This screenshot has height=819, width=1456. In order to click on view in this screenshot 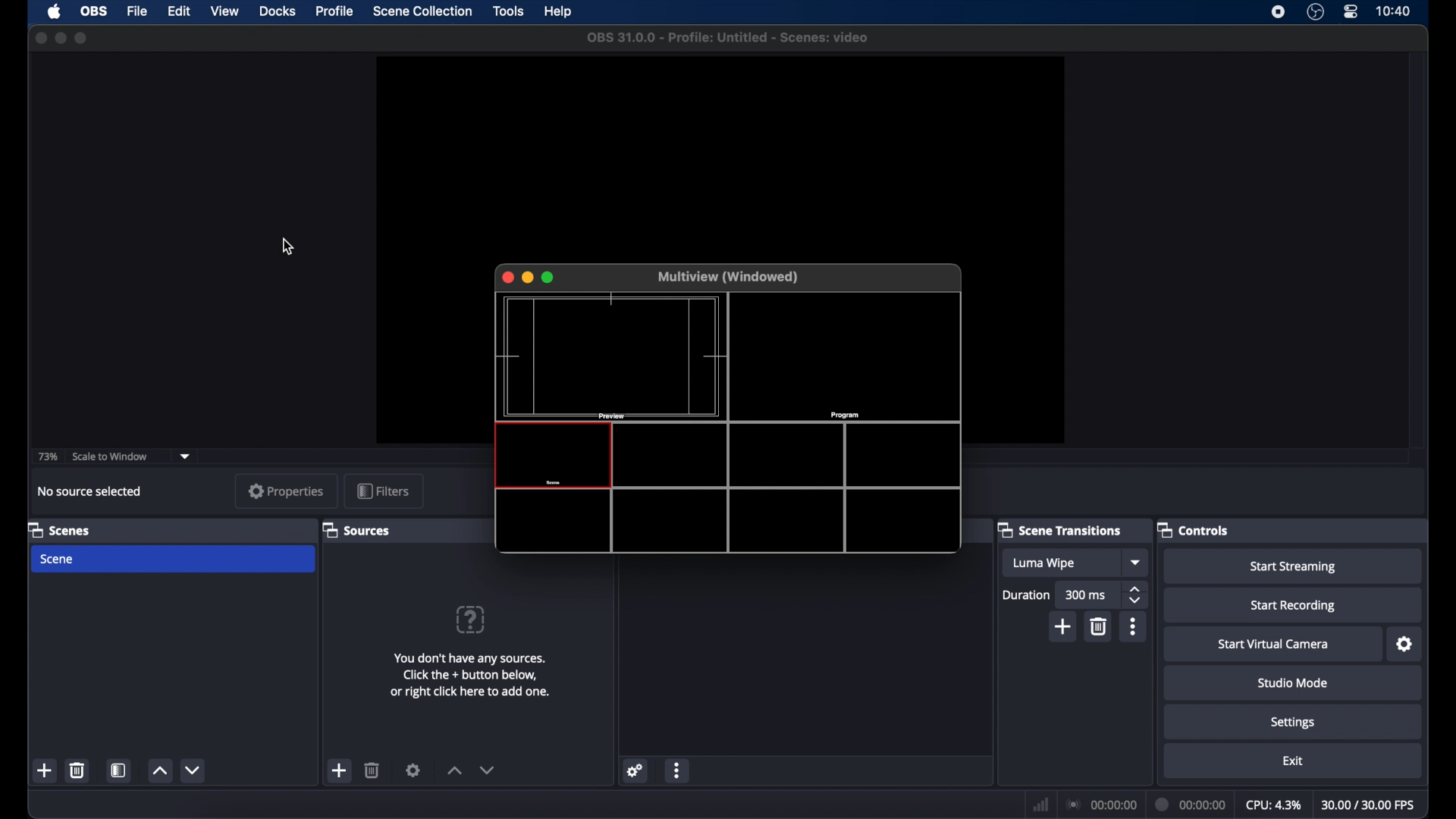, I will do `click(226, 11)`.